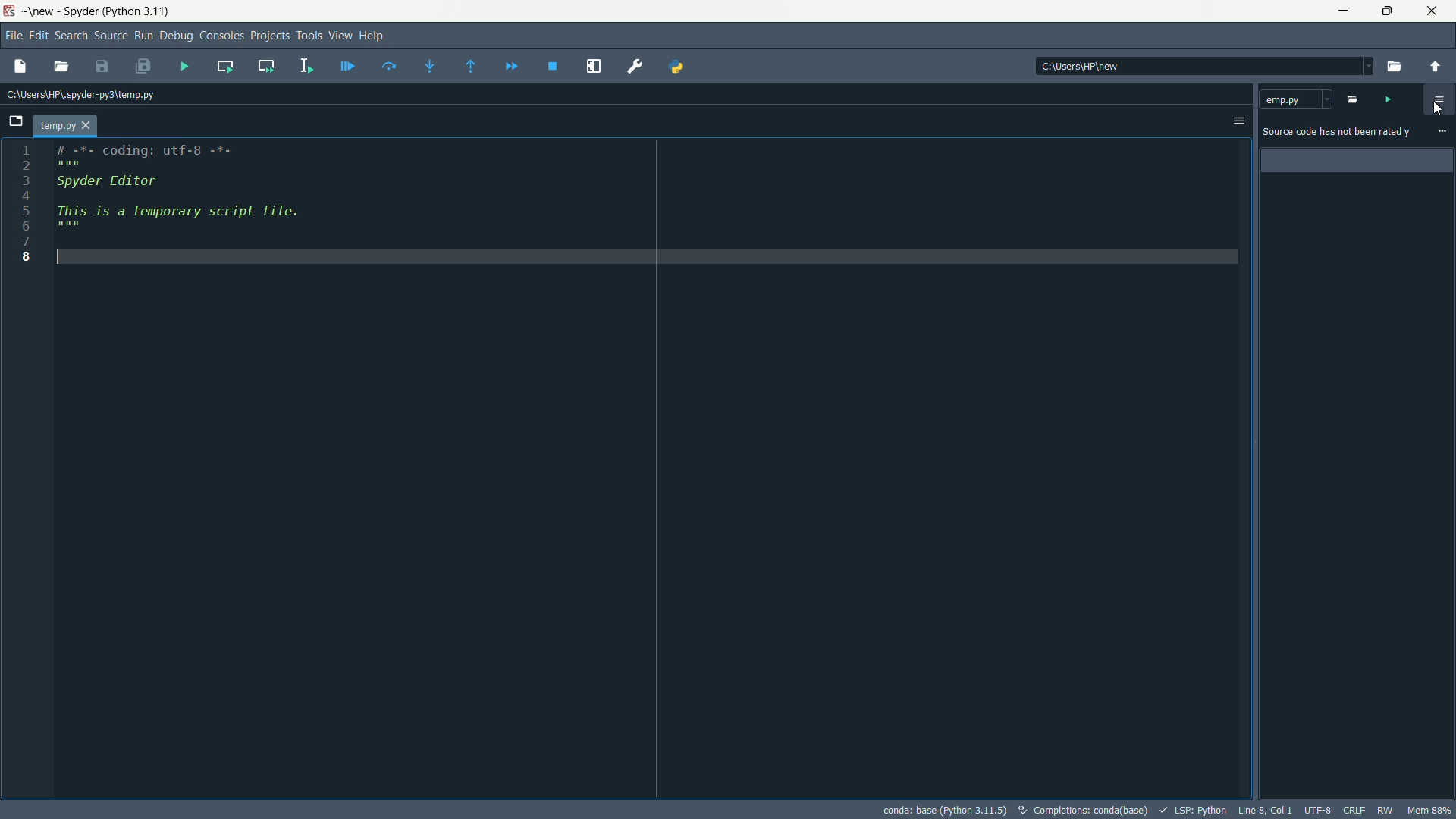 This screenshot has height=819, width=1456. Describe the element at coordinates (1442, 107) in the screenshot. I see `cursor` at that location.